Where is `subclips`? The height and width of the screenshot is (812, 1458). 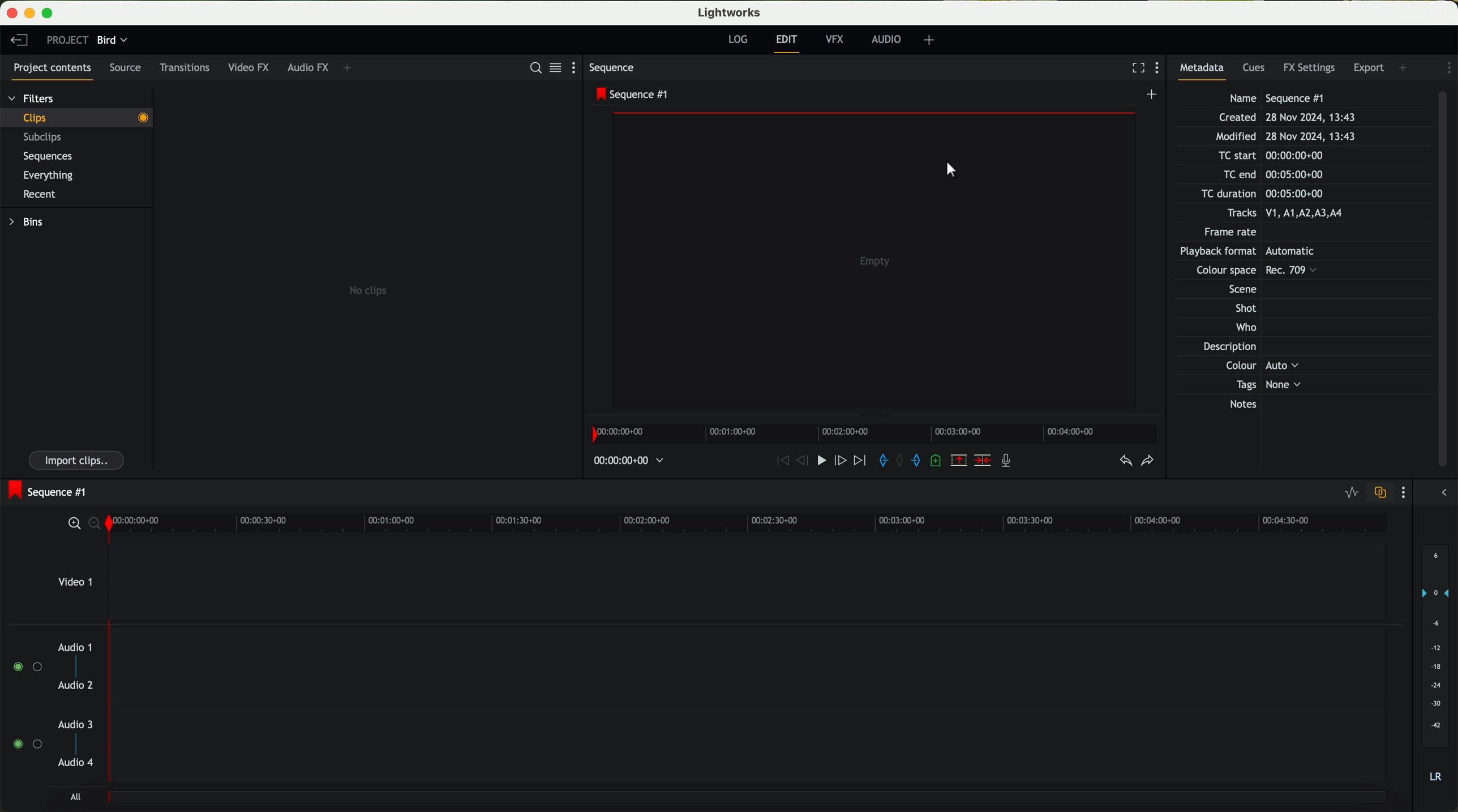
subclips is located at coordinates (48, 138).